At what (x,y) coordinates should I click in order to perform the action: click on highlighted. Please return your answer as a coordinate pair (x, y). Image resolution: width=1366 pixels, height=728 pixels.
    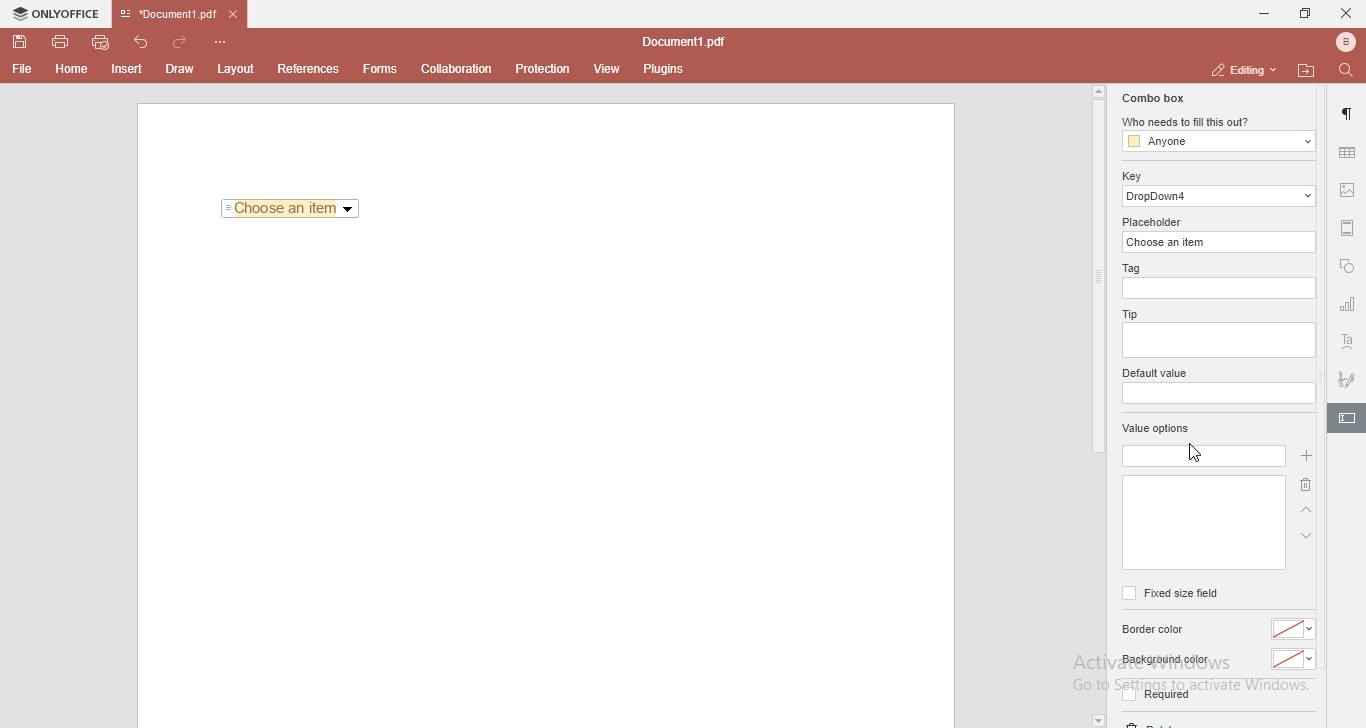
    Looking at the image, I should click on (1346, 420).